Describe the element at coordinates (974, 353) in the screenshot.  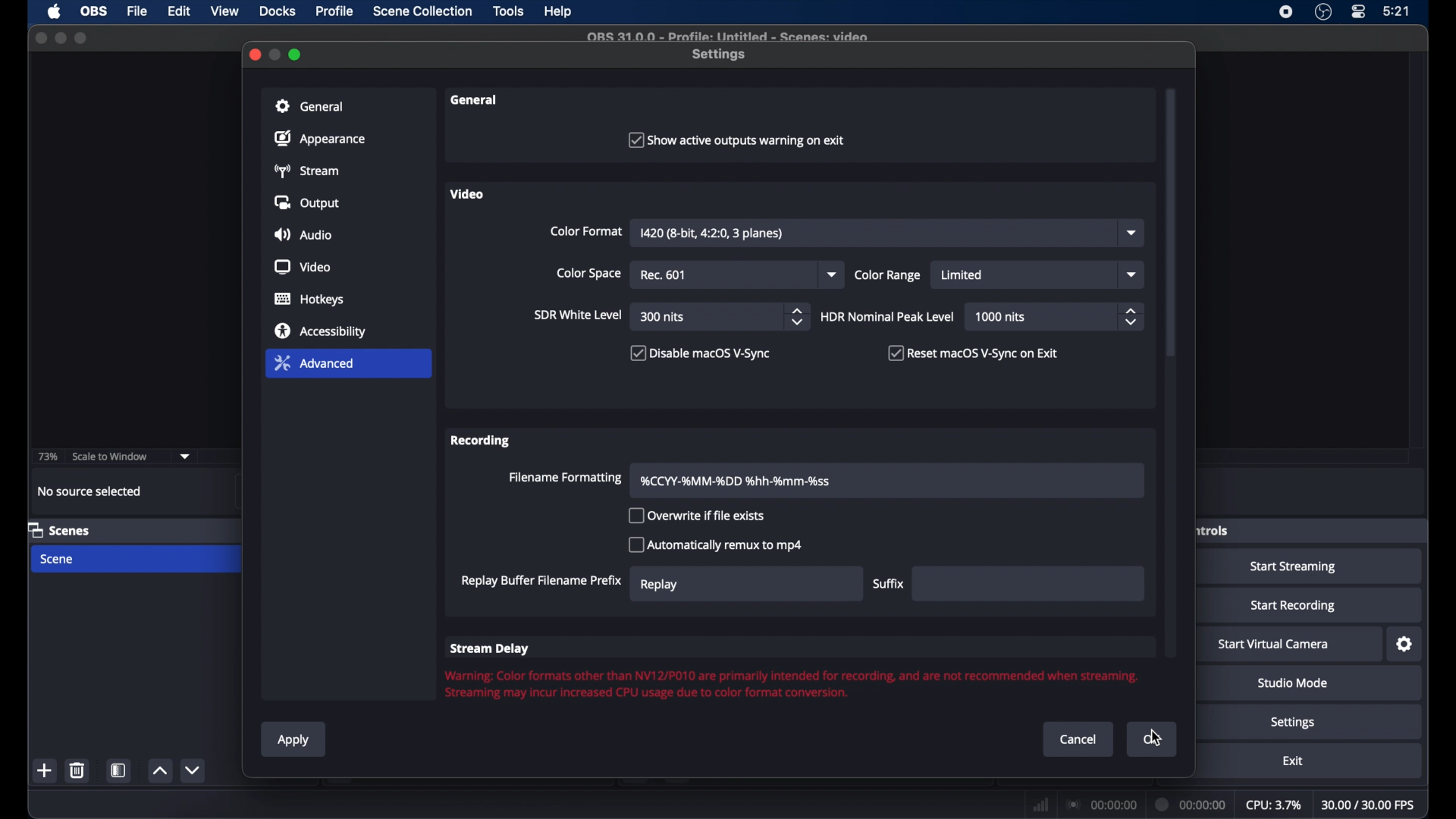
I see `checkbox` at that location.